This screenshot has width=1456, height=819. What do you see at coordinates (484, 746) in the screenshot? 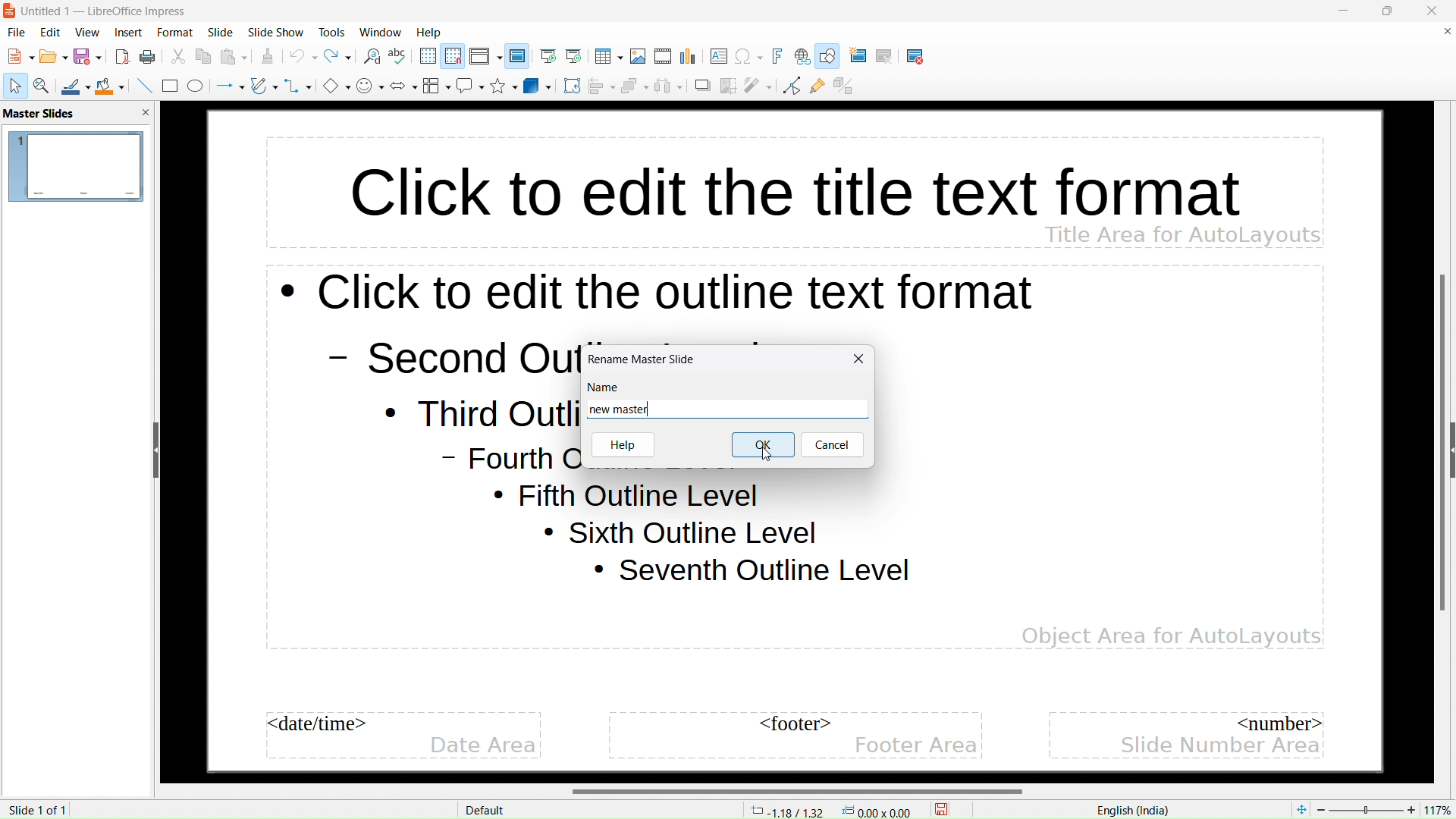
I see `date area` at bounding box center [484, 746].